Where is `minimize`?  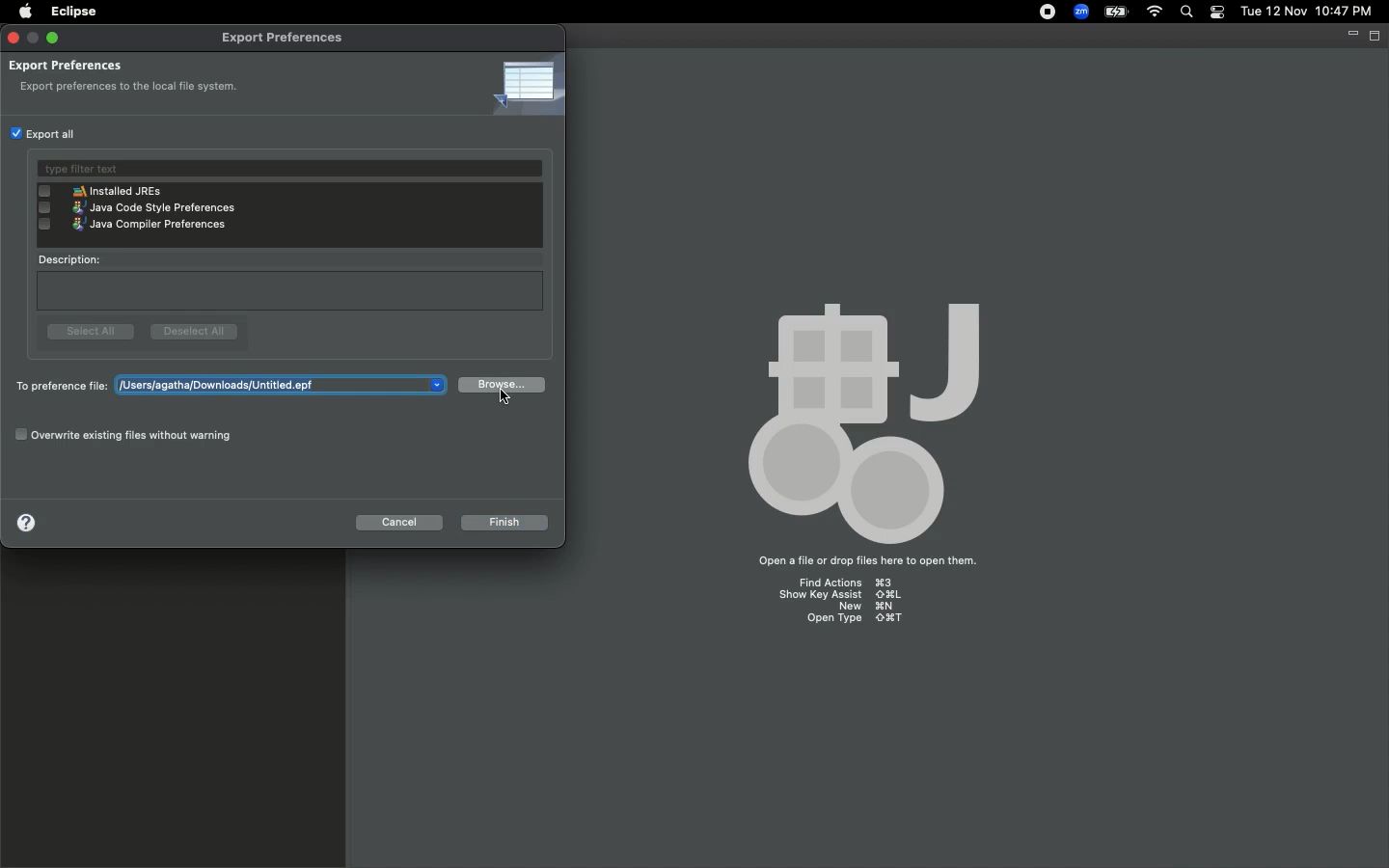
minimize is located at coordinates (32, 40).